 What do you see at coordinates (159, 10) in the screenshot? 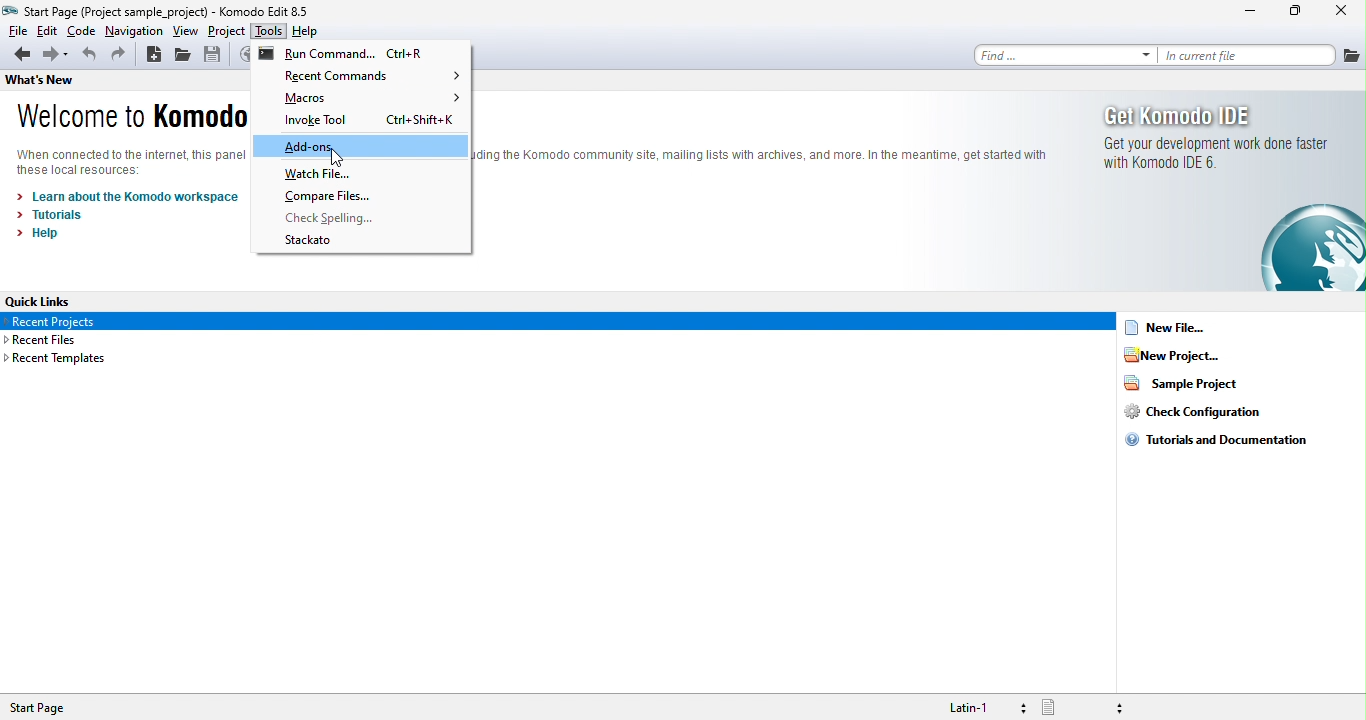
I see `title` at bounding box center [159, 10].